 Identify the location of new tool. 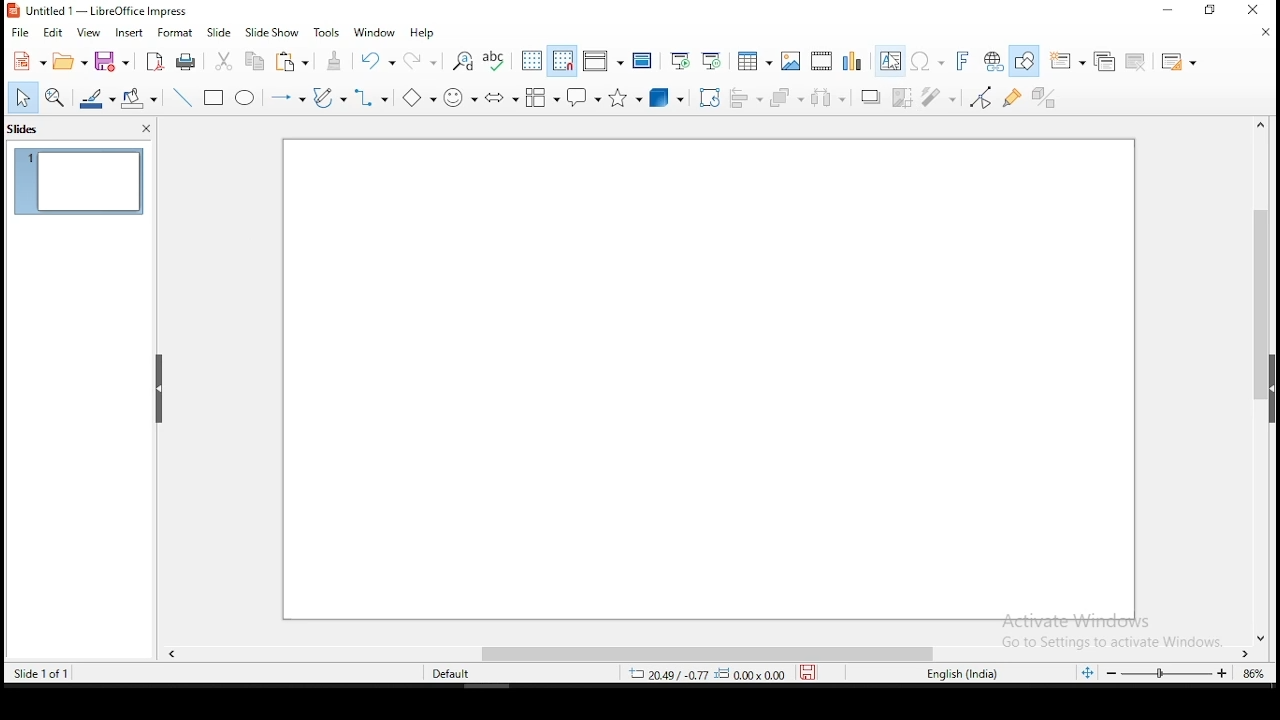
(26, 62).